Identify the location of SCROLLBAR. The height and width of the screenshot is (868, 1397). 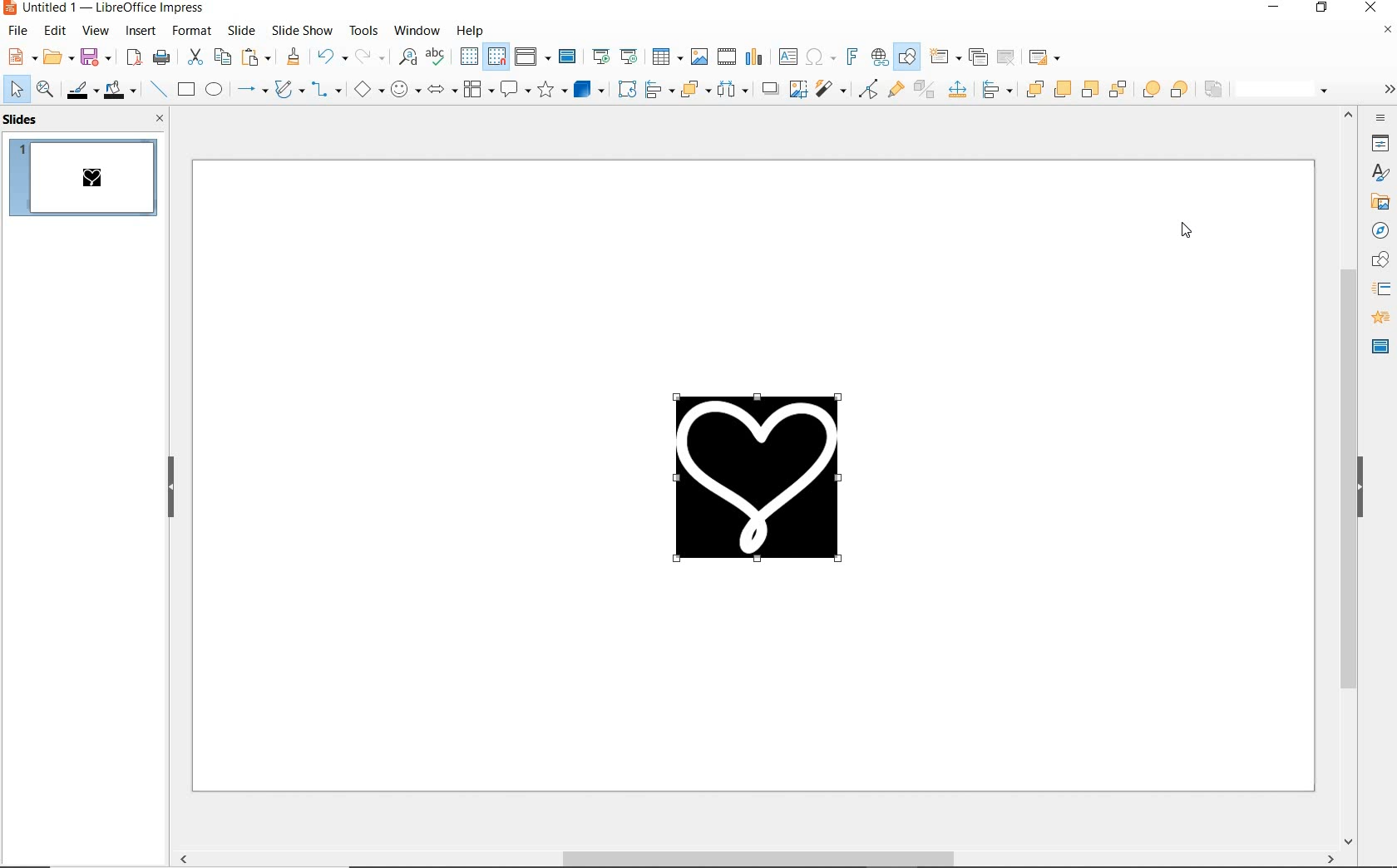
(753, 860).